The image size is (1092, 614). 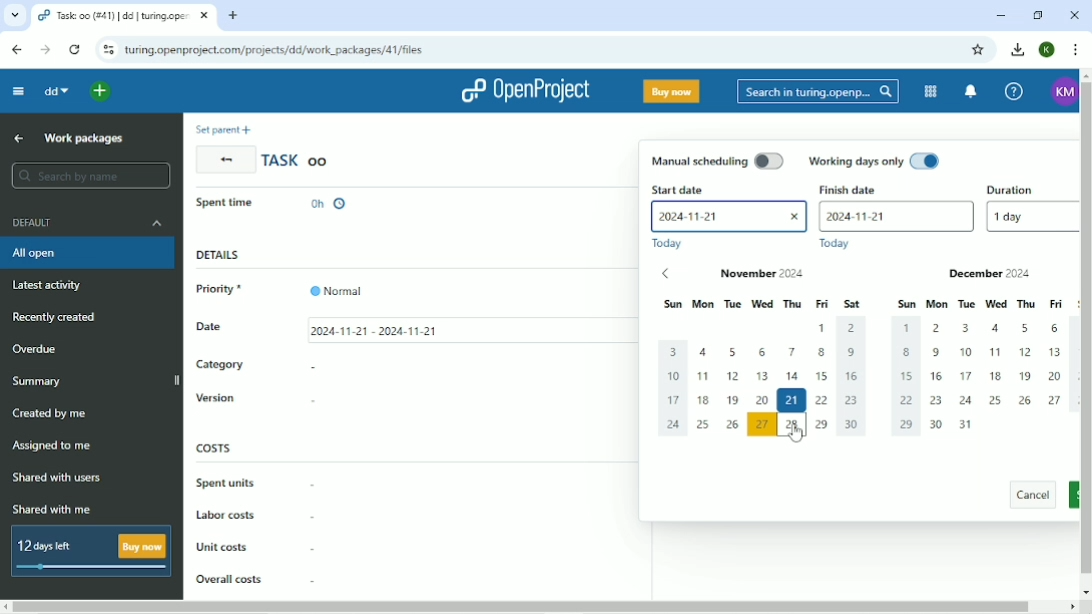 I want to click on Open quick add menu, so click(x=101, y=91).